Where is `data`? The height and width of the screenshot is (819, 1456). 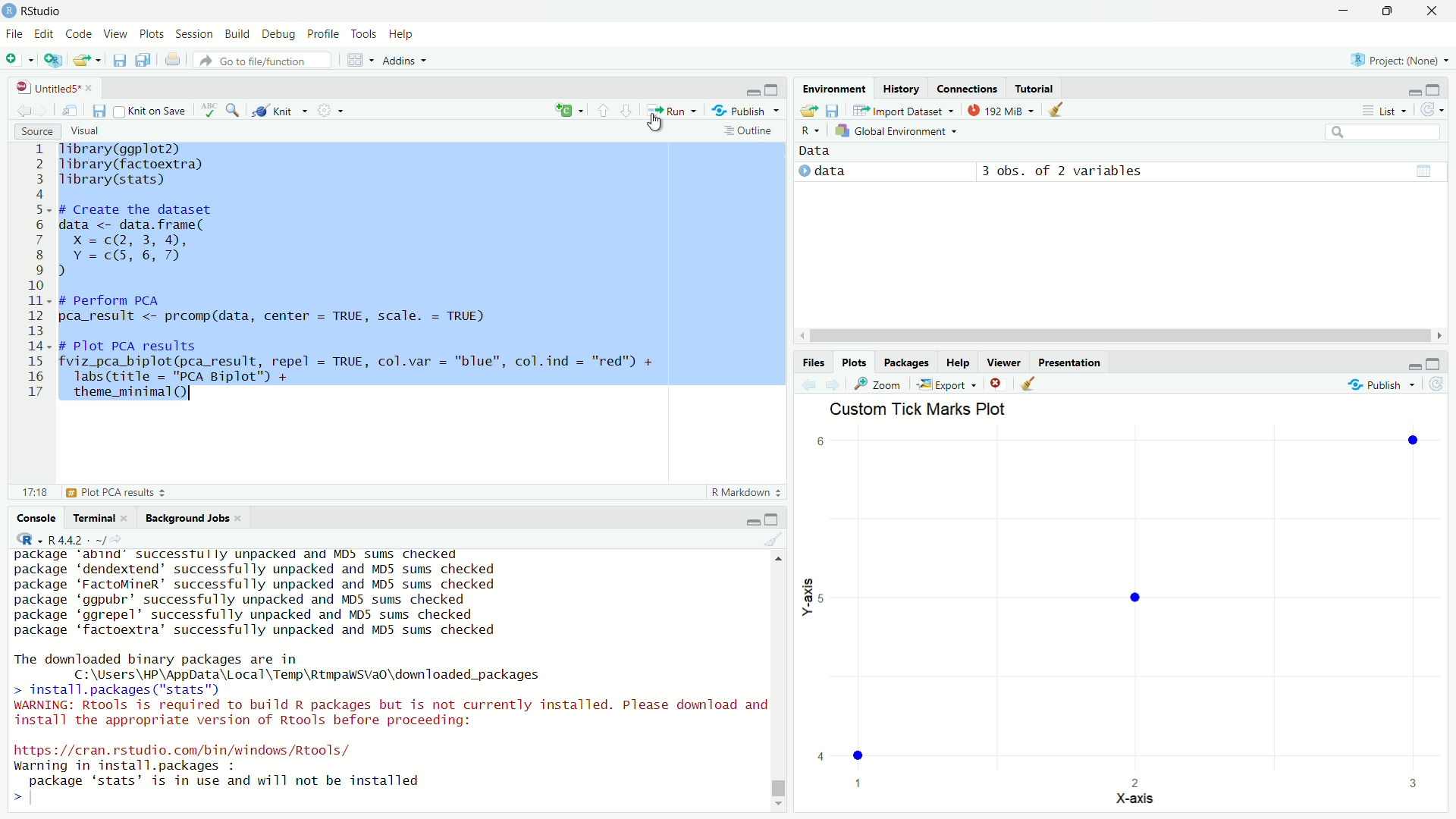
data is located at coordinates (817, 152).